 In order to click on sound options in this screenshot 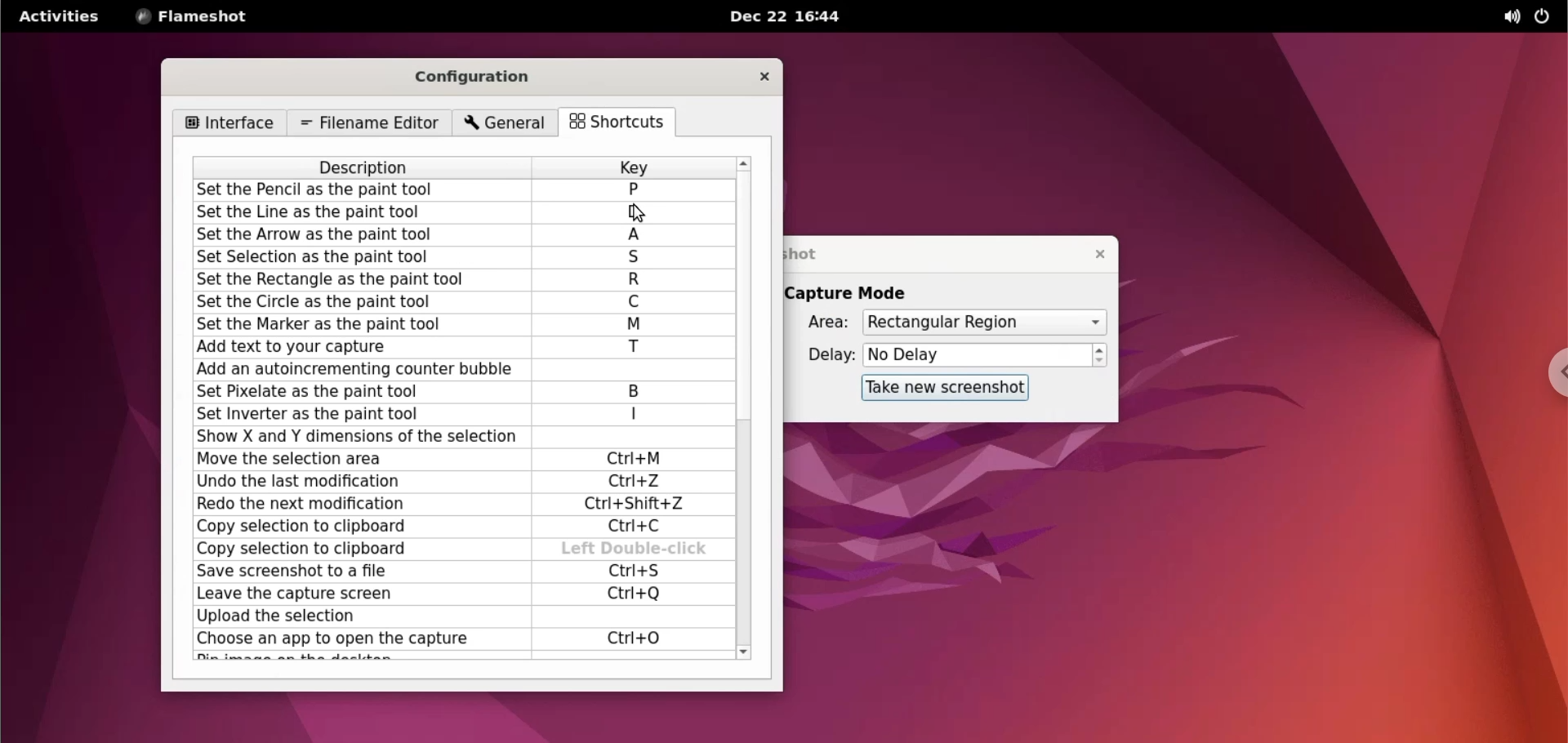, I will do `click(1505, 17)`.